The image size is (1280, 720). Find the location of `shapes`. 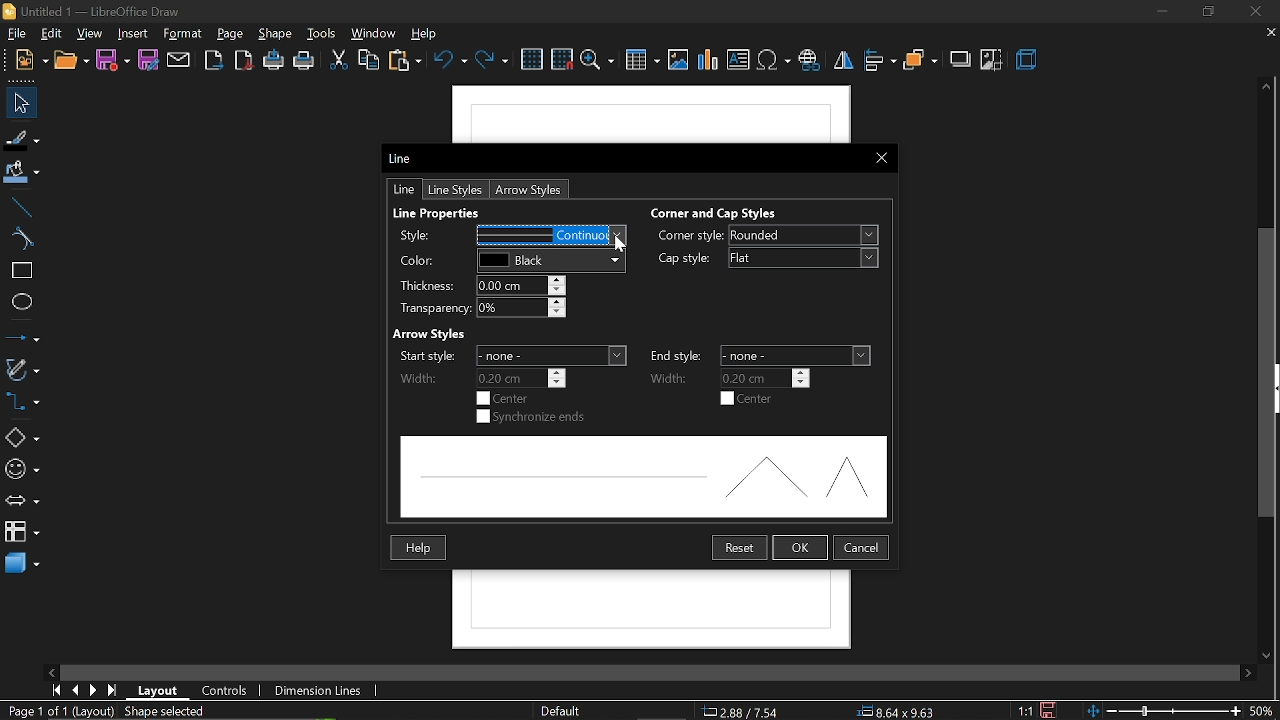

shapes is located at coordinates (21, 436).